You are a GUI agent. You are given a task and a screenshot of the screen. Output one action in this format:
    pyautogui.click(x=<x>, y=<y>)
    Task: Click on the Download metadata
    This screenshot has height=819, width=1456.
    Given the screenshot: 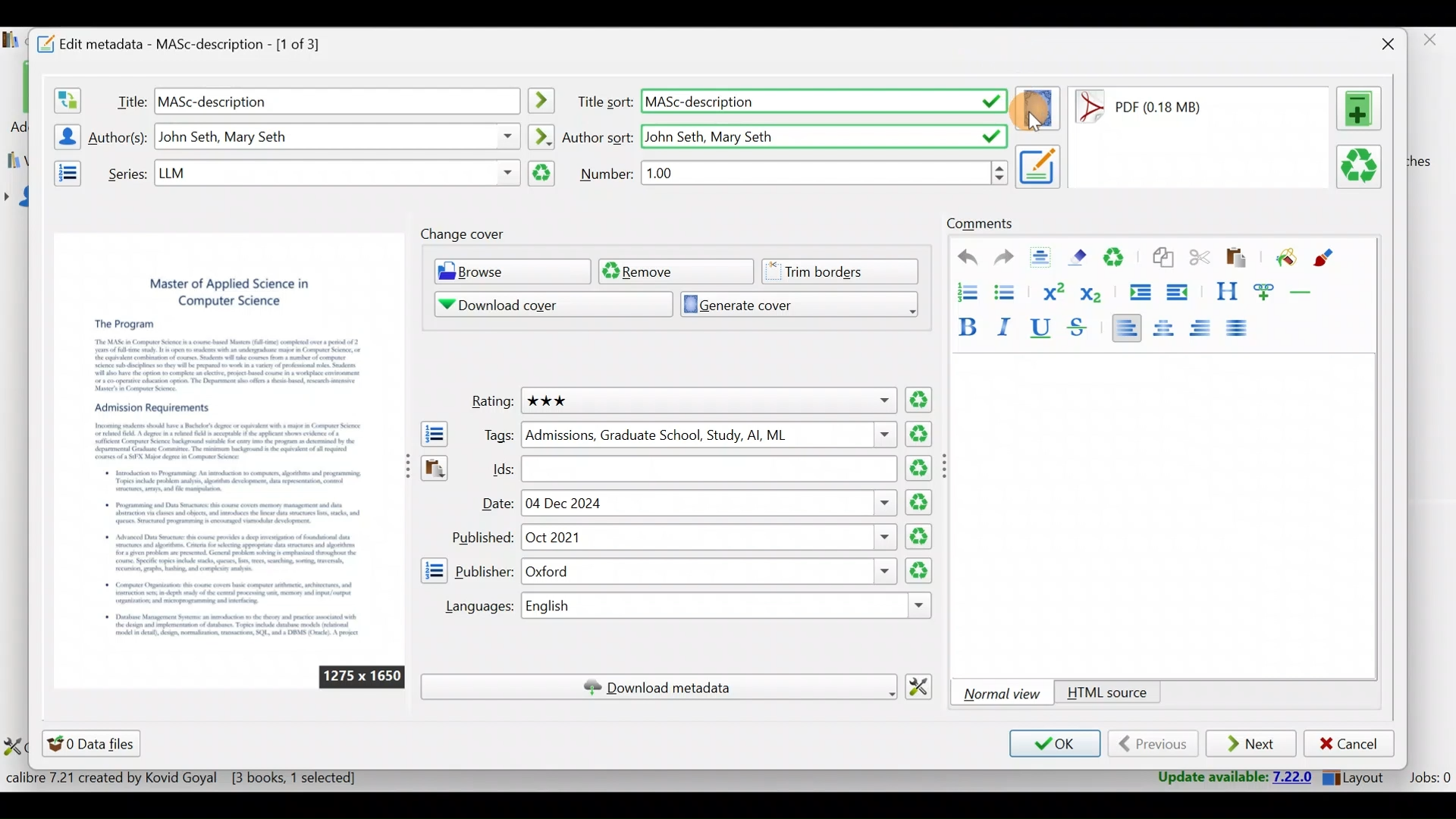 What is the action you would take?
    pyautogui.click(x=658, y=687)
    